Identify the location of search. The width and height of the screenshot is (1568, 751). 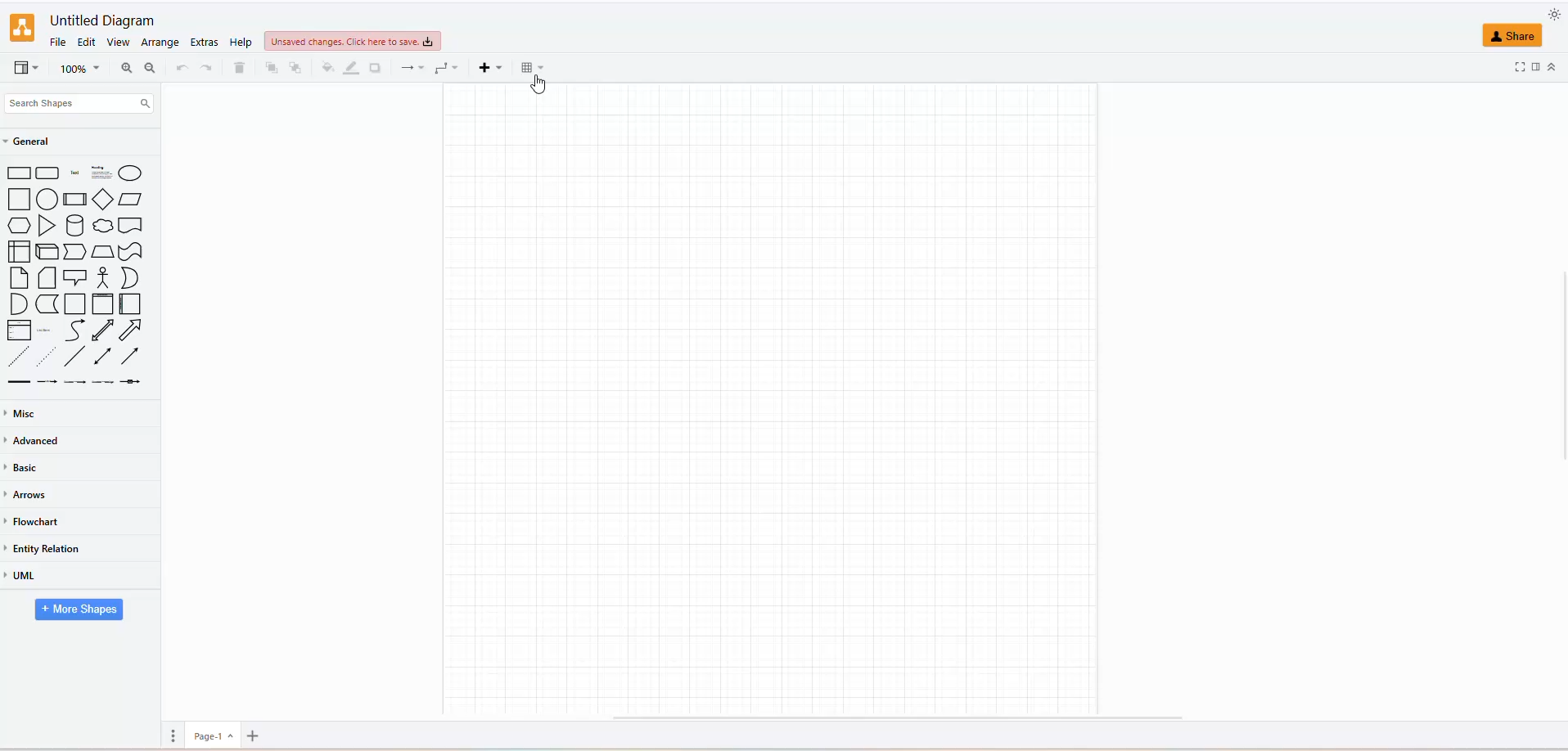
(99, 105).